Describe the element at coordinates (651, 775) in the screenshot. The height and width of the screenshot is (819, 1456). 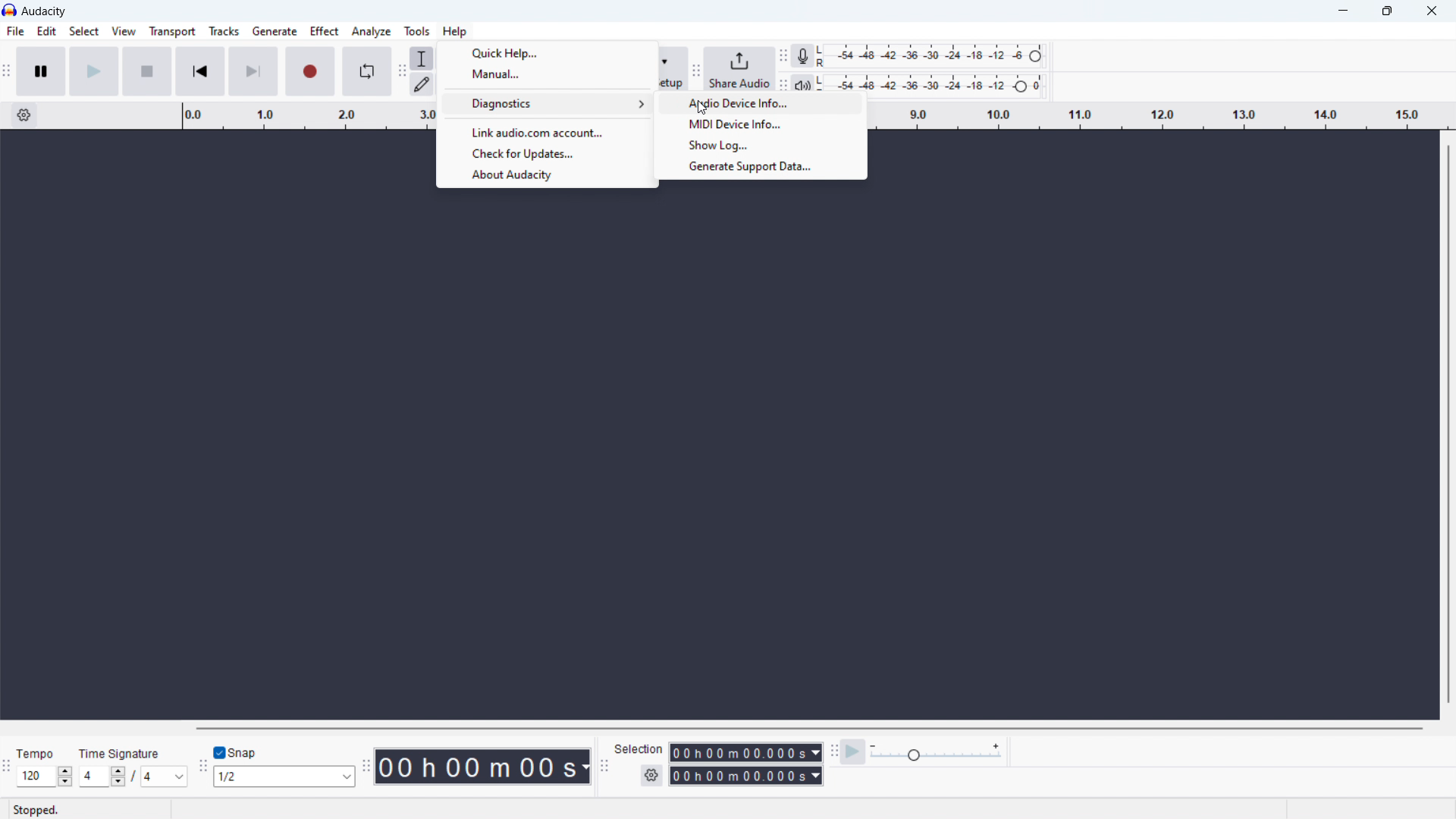
I see `settings` at that location.